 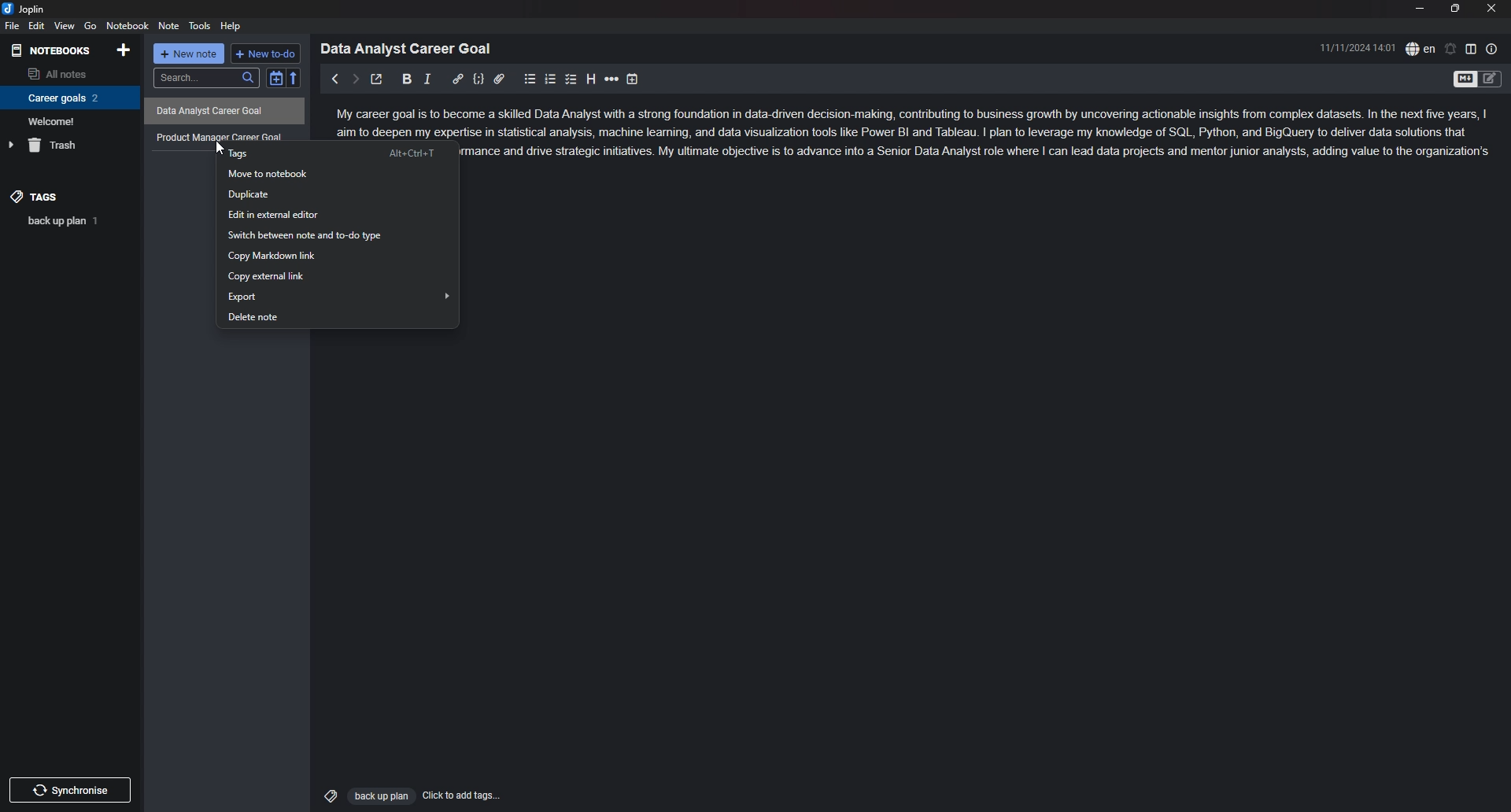 What do you see at coordinates (65, 26) in the screenshot?
I see `view` at bounding box center [65, 26].